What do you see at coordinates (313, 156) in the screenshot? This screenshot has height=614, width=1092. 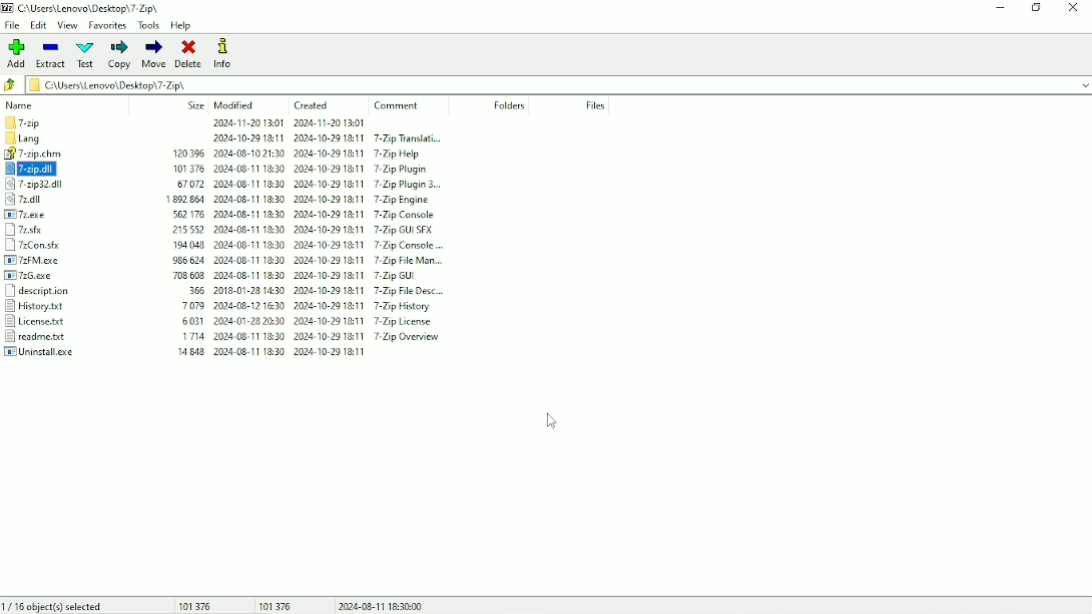 I see `120396 2004-08-1021:30 2004-10-29 1811 7-Zip Help` at bounding box center [313, 156].